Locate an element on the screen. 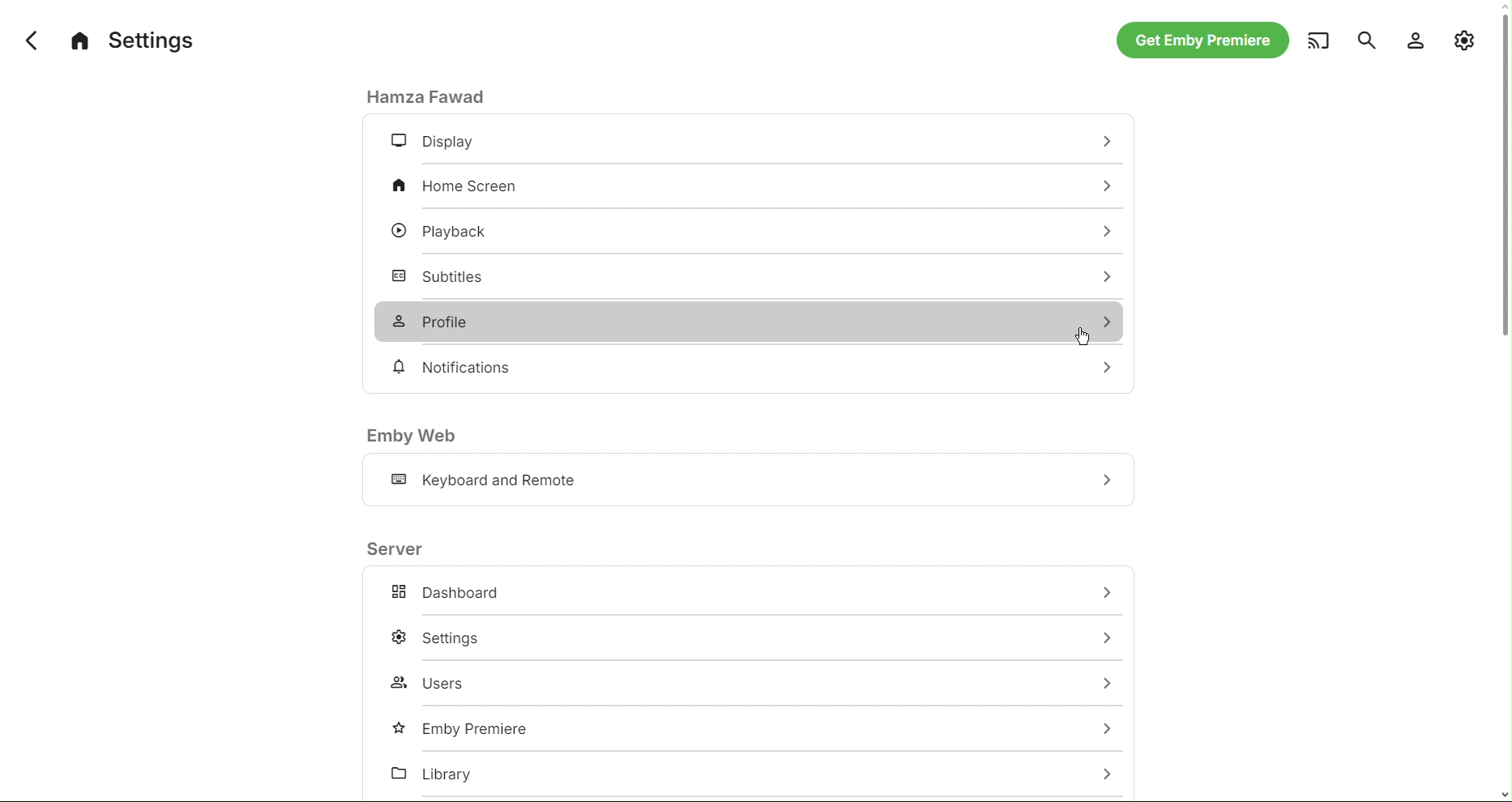  Cast Media is located at coordinates (1317, 41).